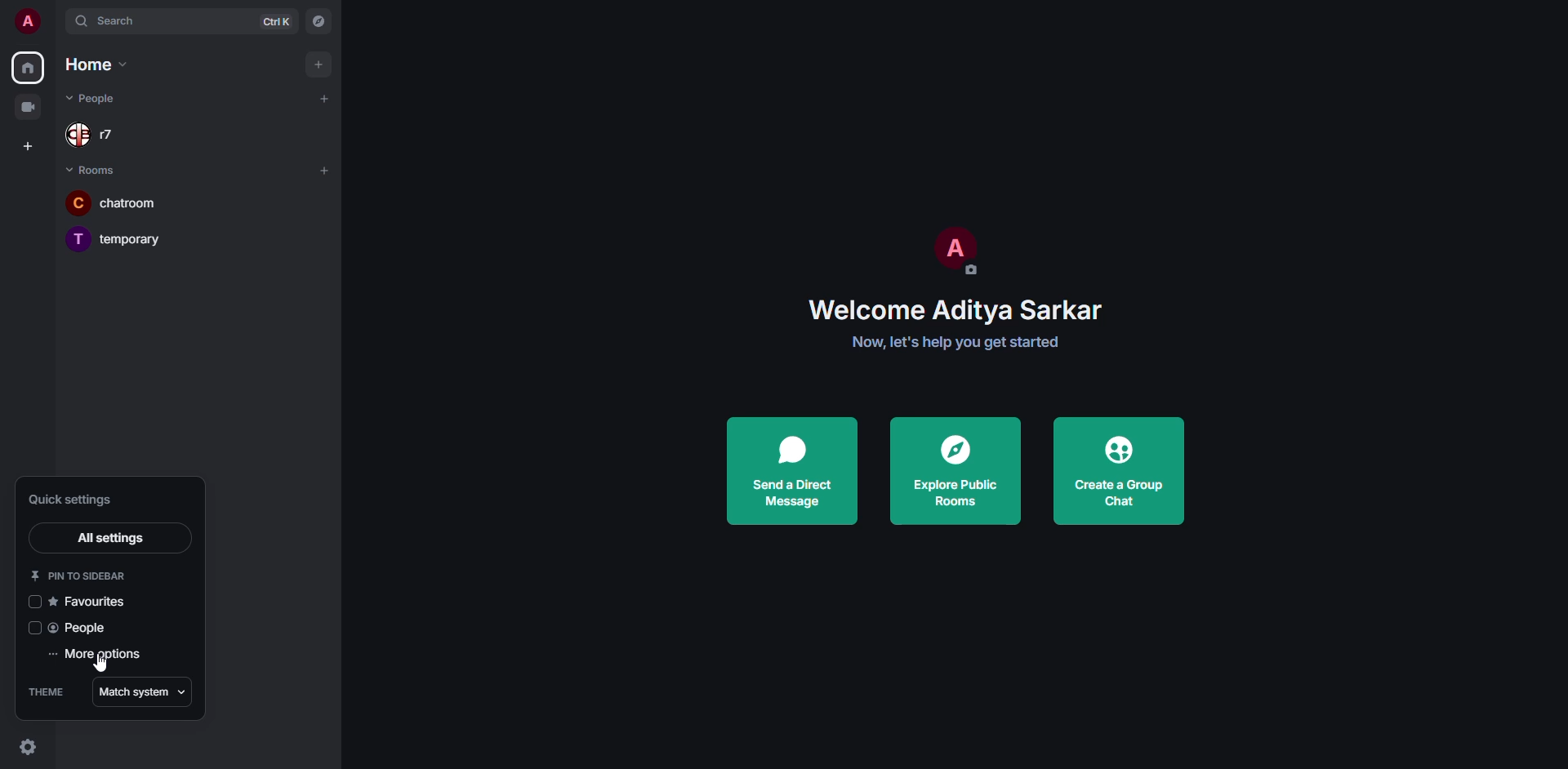  I want to click on theme, so click(47, 692).